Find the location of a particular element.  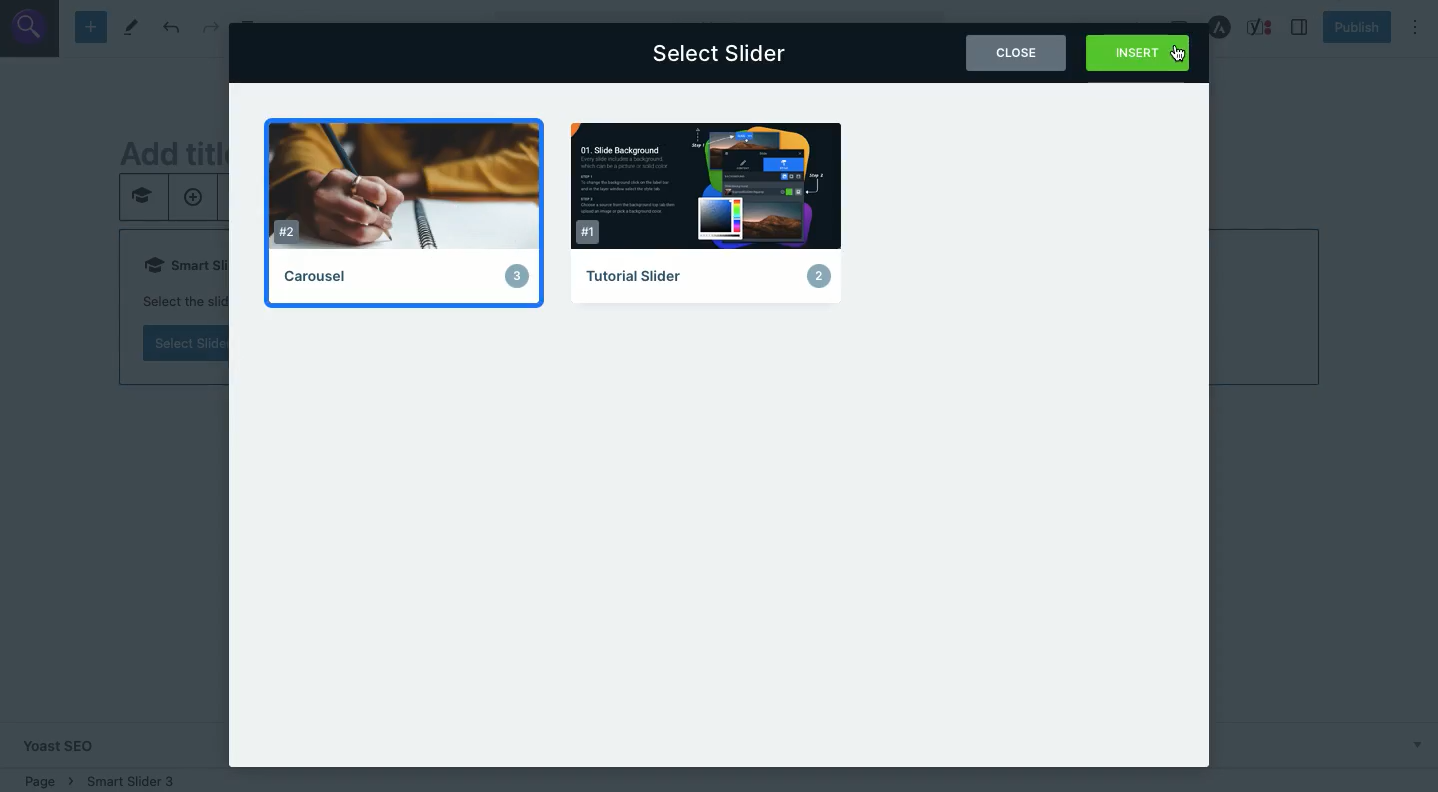

Redo is located at coordinates (210, 28).